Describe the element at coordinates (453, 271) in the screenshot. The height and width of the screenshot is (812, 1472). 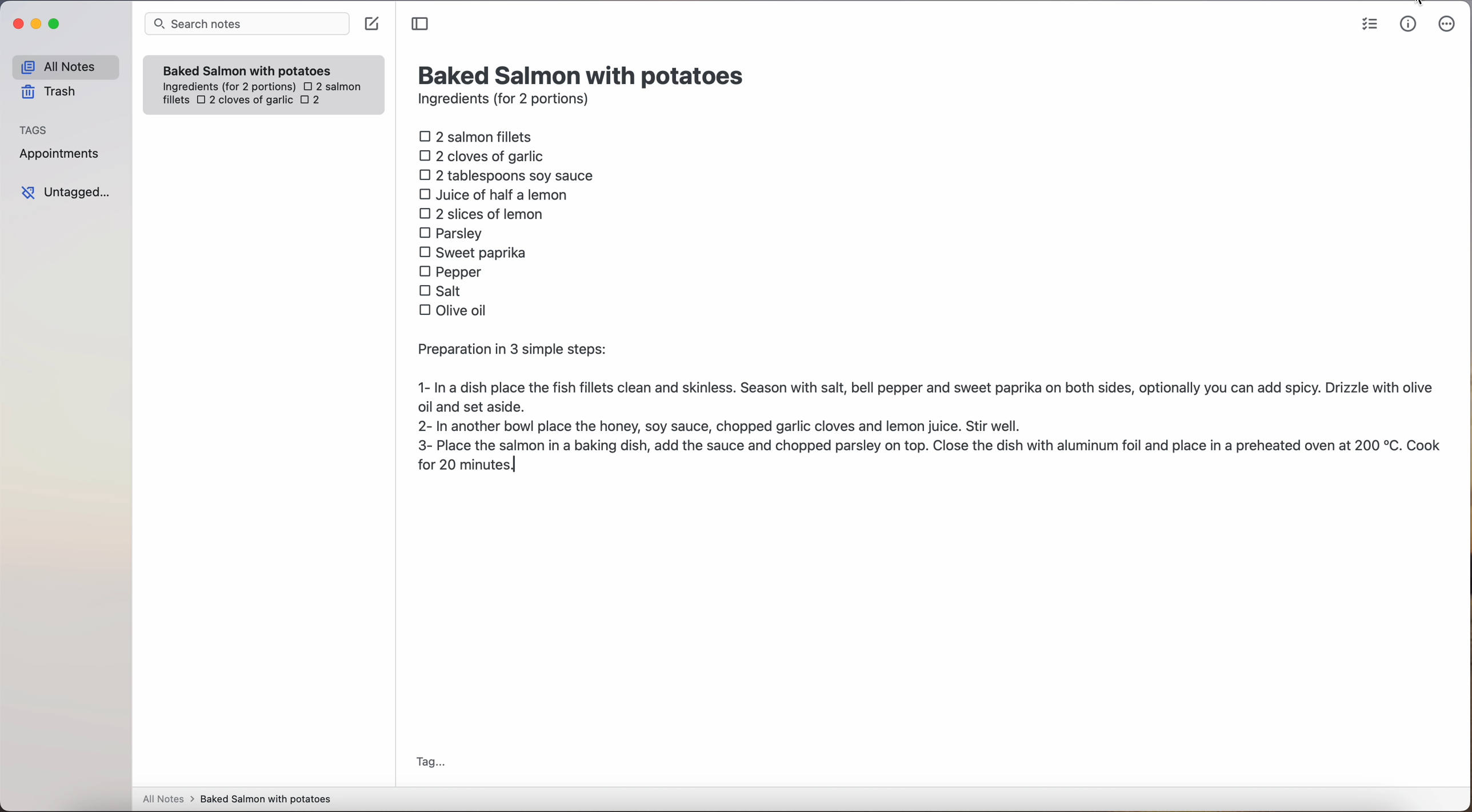
I see `pepper` at that location.